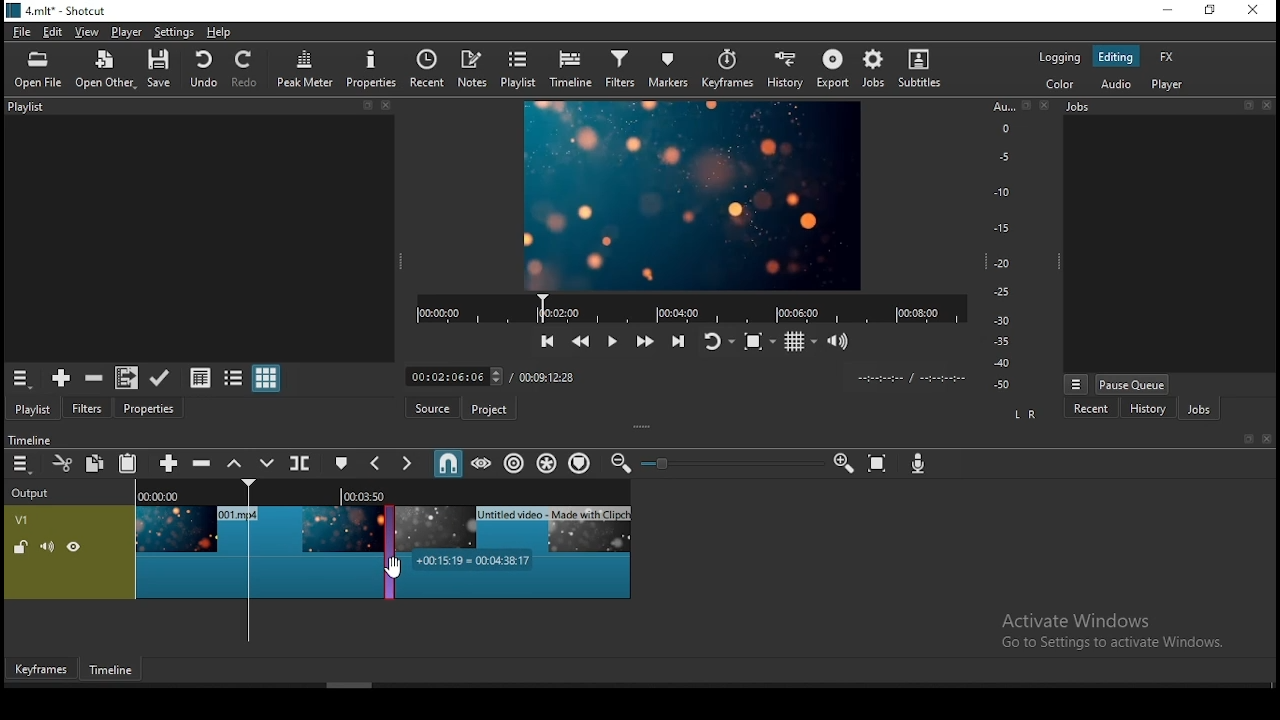 The height and width of the screenshot is (720, 1280). What do you see at coordinates (28, 438) in the screenshot?
I see `timeline` at bounding box center [28, 438].